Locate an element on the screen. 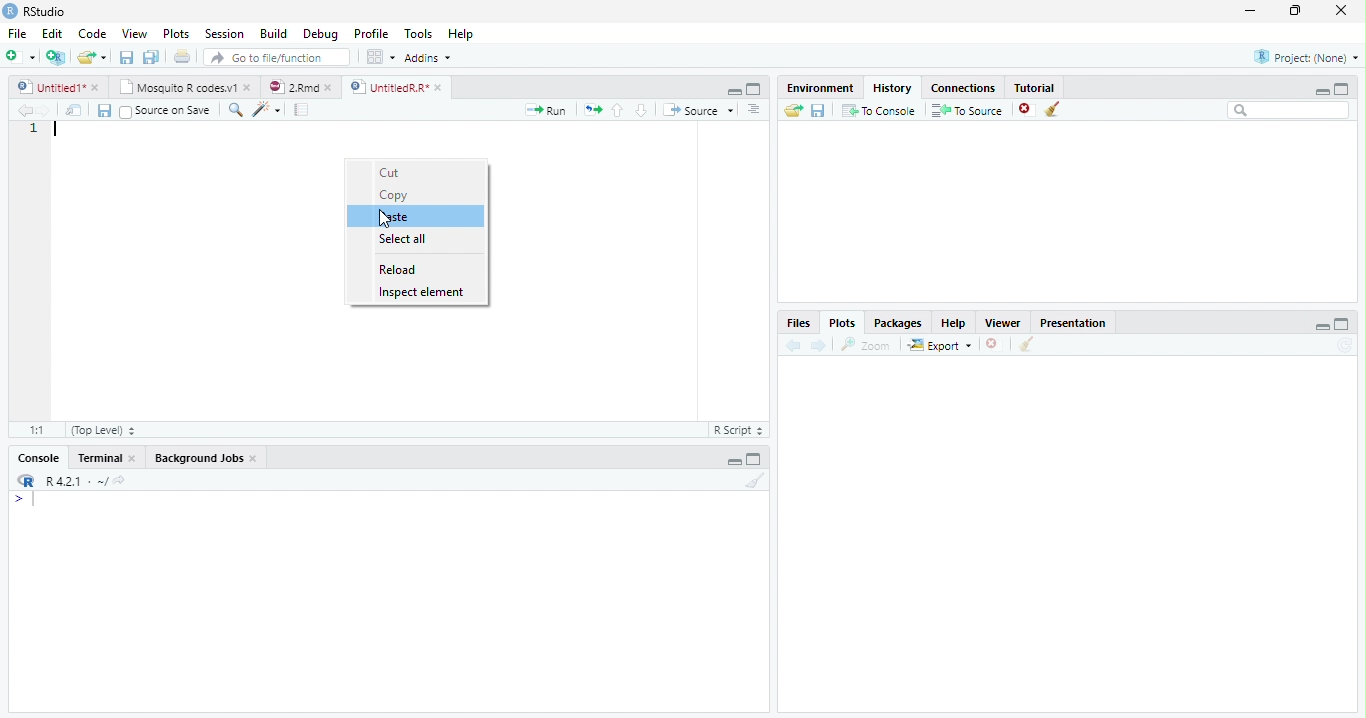  Row number is located at coordinates (32, 269).